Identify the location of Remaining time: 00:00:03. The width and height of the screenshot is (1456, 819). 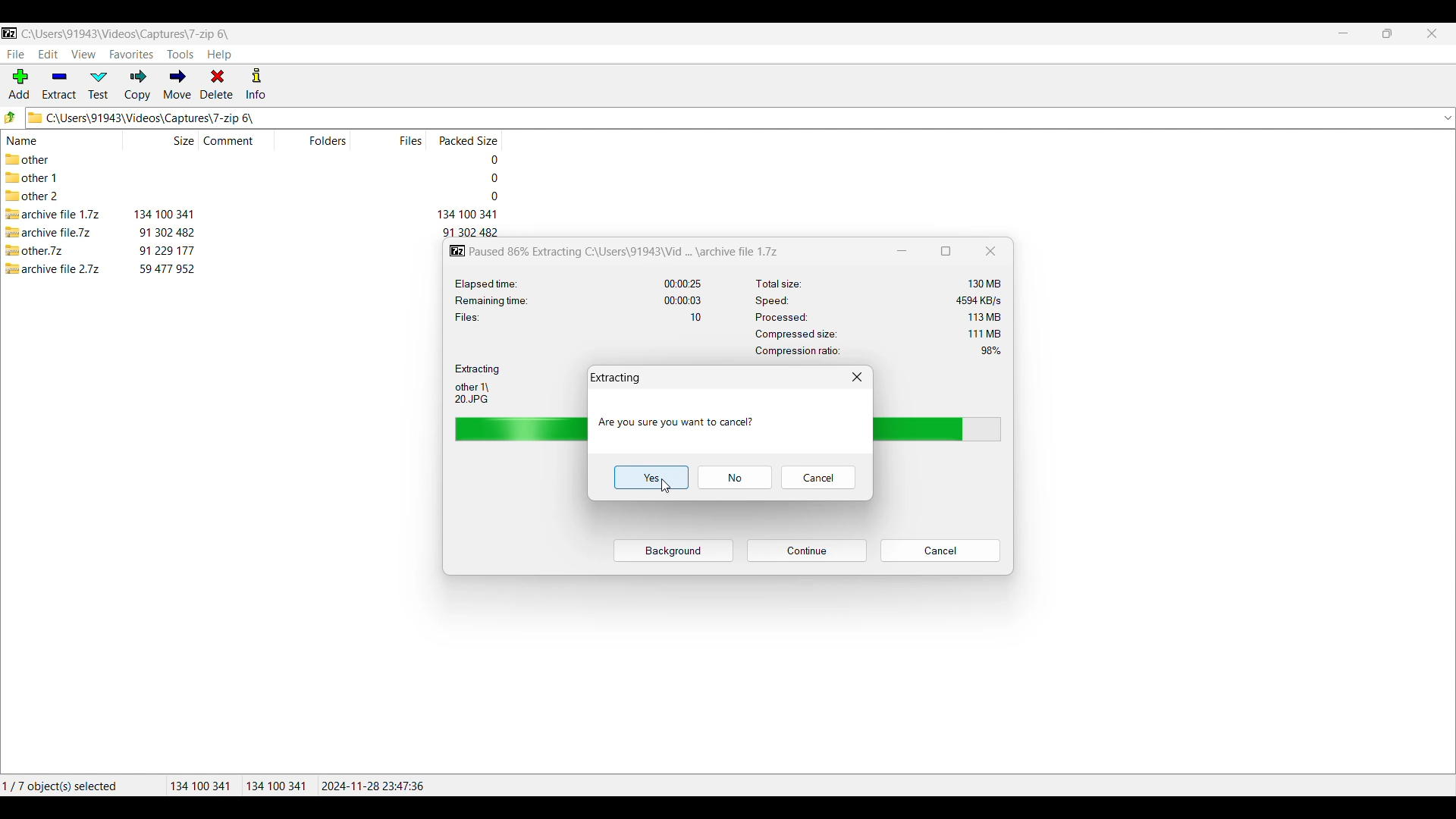
(579, 300).